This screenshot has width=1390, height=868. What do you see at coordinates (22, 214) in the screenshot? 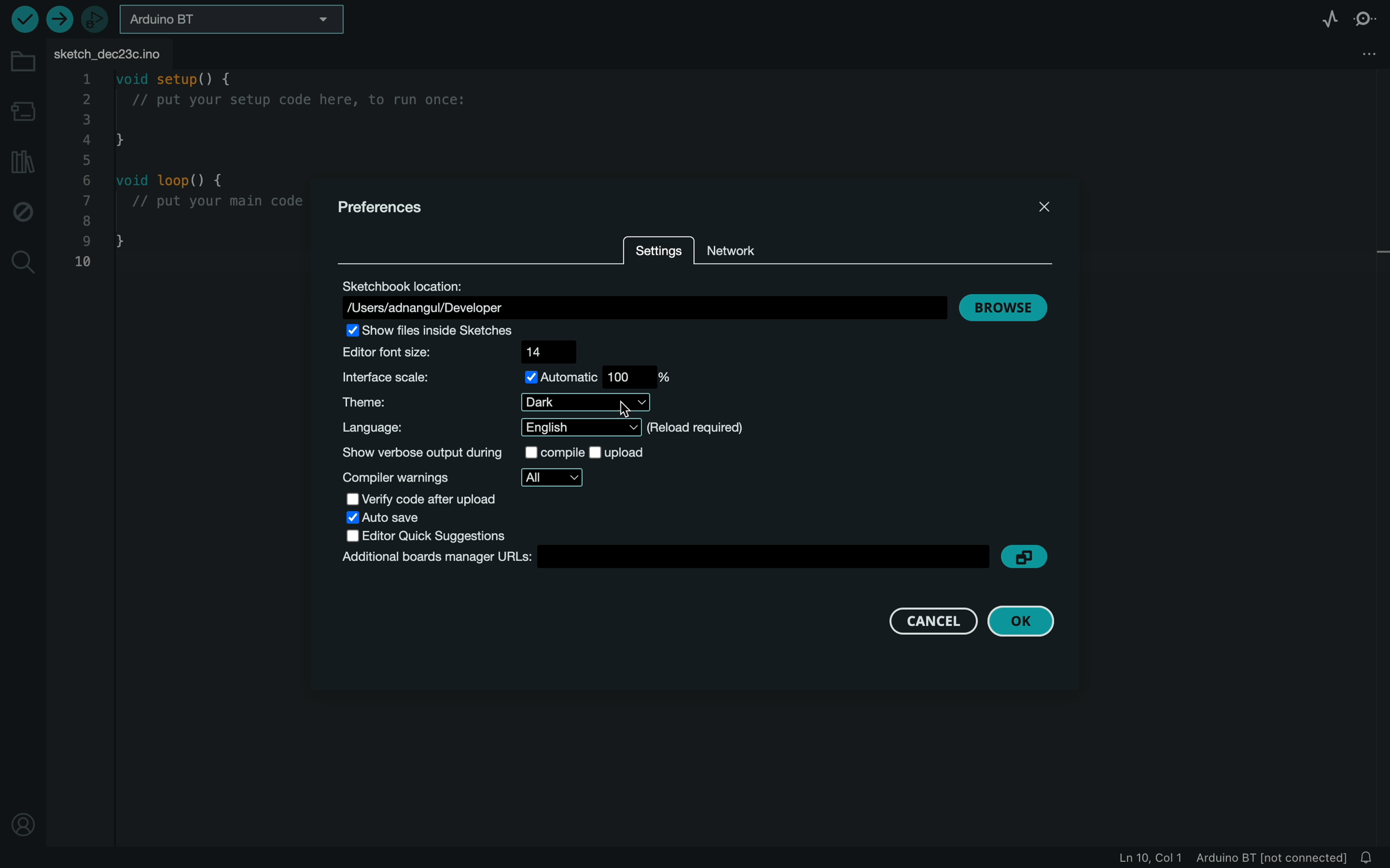
I see `debug` at bounding box center [22, 214].